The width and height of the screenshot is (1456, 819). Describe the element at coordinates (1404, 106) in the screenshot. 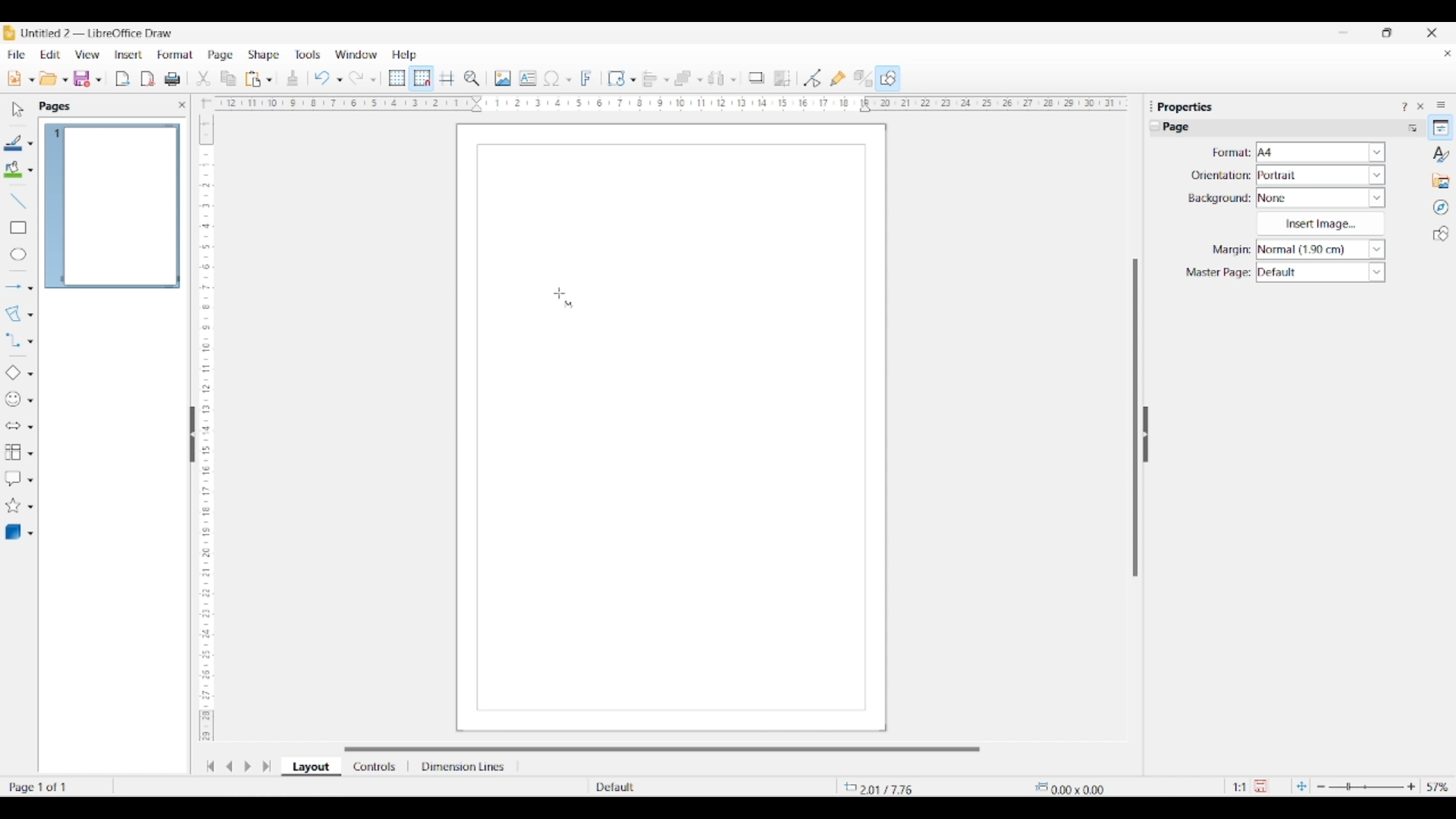

I see `Help about this sidebar` at that location.